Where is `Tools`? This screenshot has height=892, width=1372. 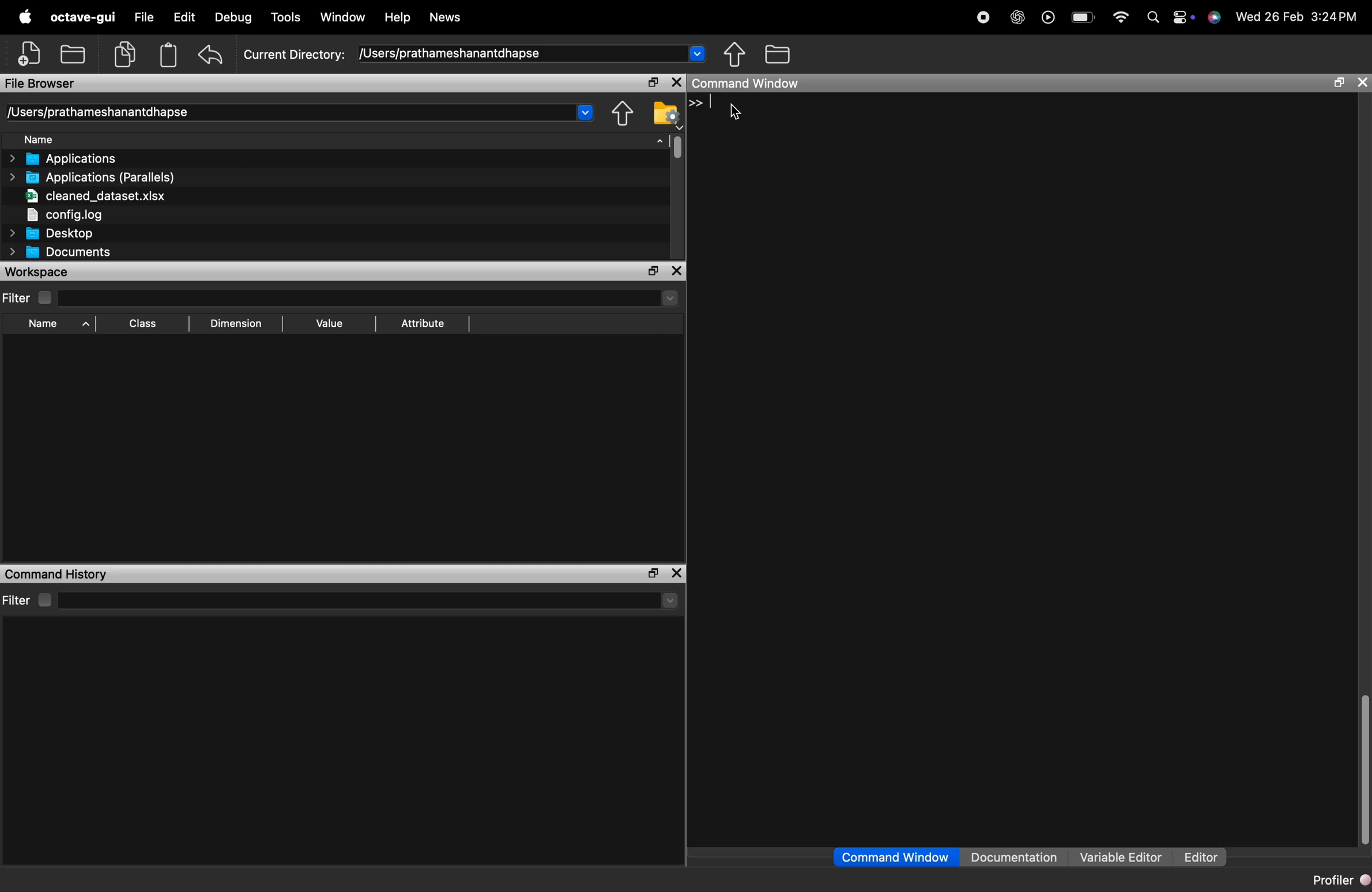 Tools is located at coordinates (288, 16).